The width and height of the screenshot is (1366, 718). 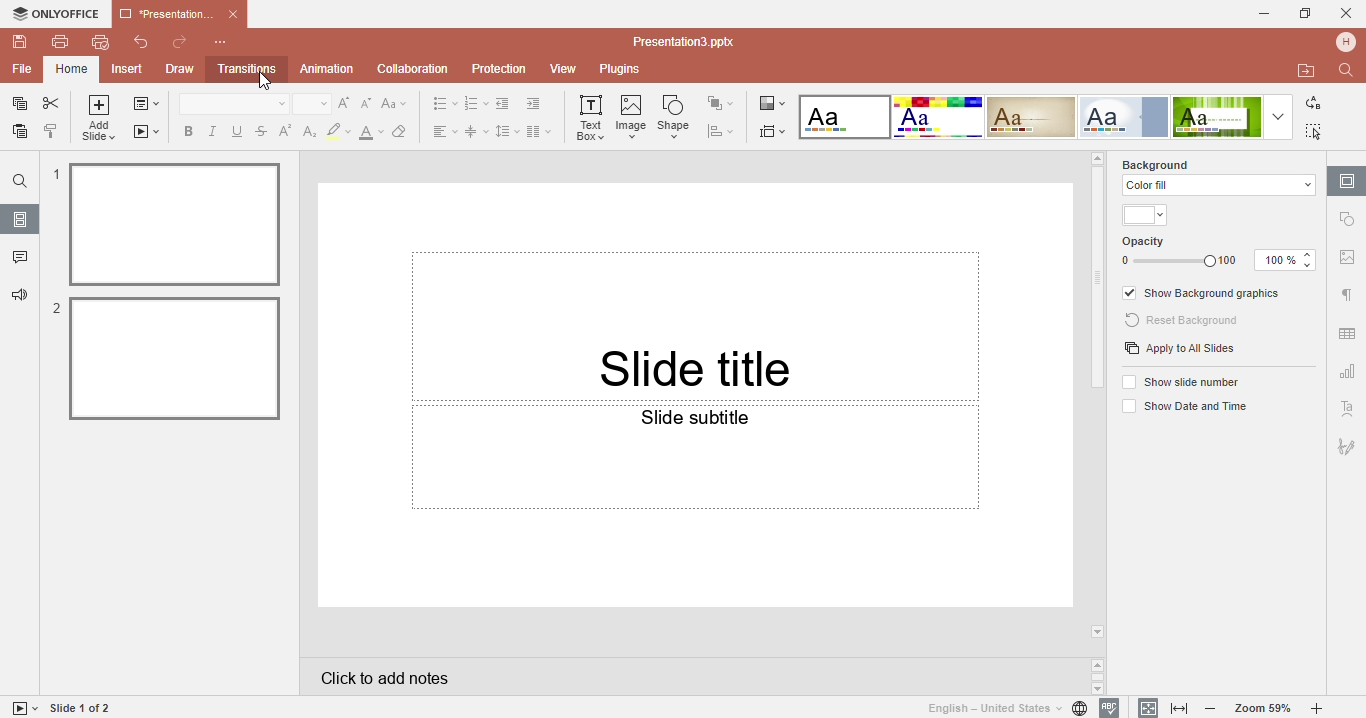 I want to click on Underline, so click(x=239, y=131).